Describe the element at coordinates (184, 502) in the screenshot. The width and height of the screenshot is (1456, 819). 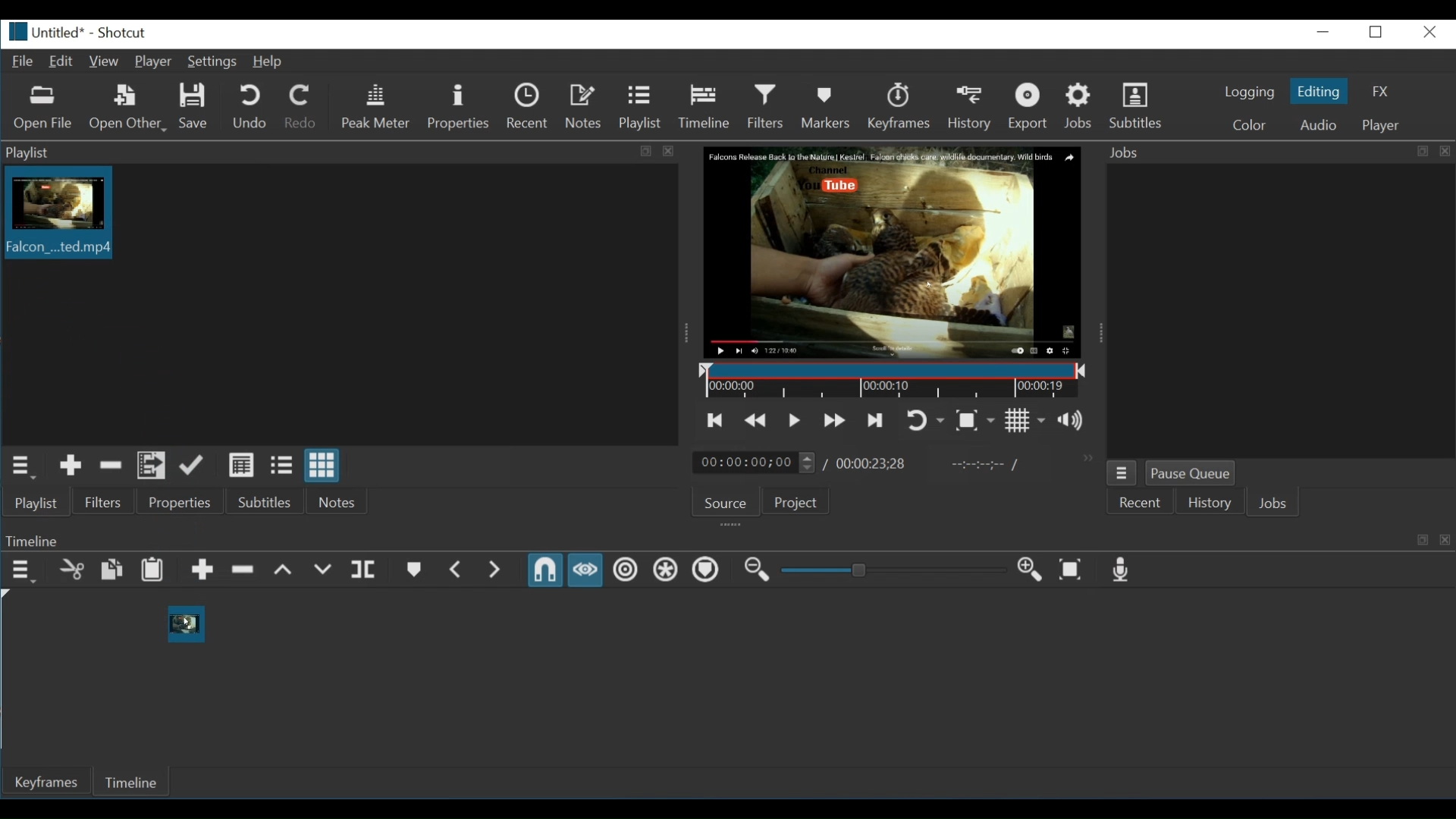
I see `Properties` at that location.